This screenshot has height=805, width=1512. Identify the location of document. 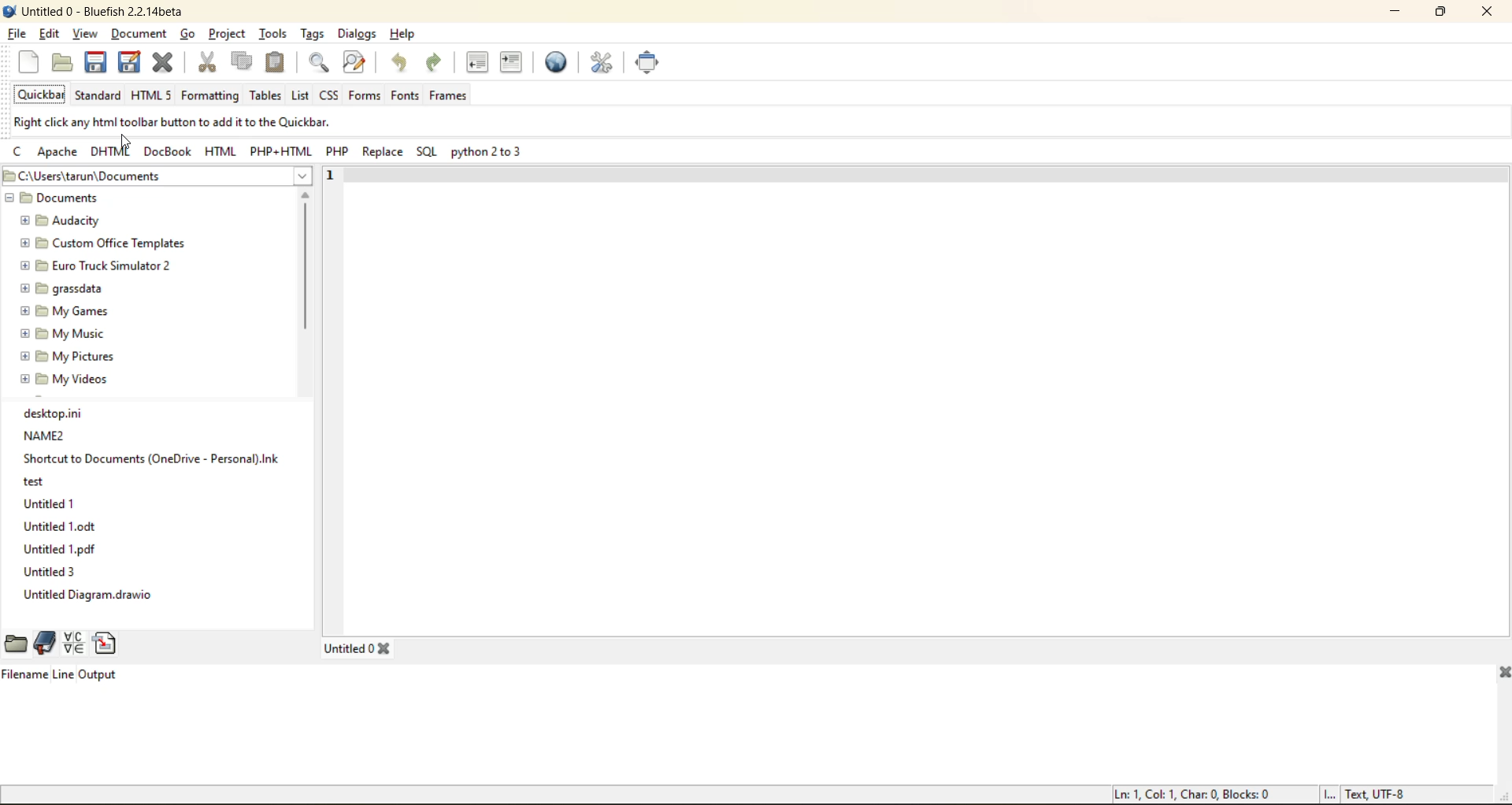
(143, 35).